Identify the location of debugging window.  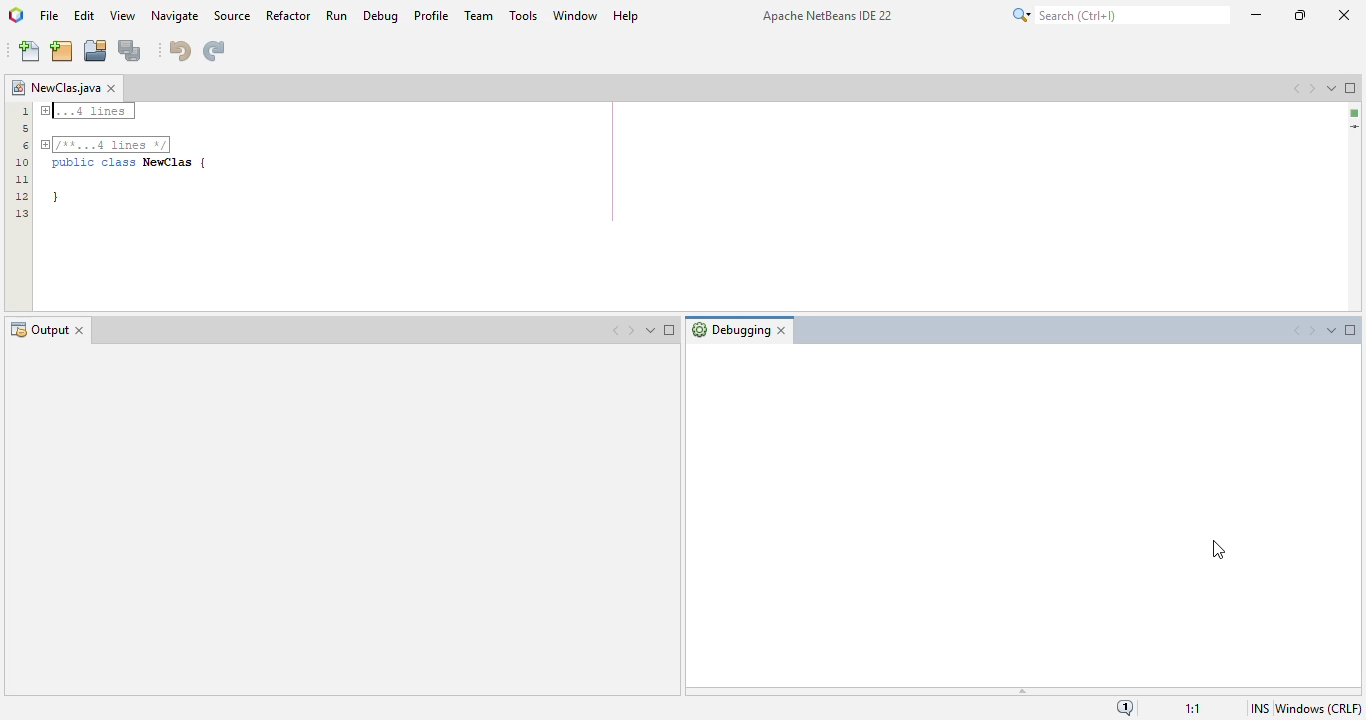
(1028, 520).